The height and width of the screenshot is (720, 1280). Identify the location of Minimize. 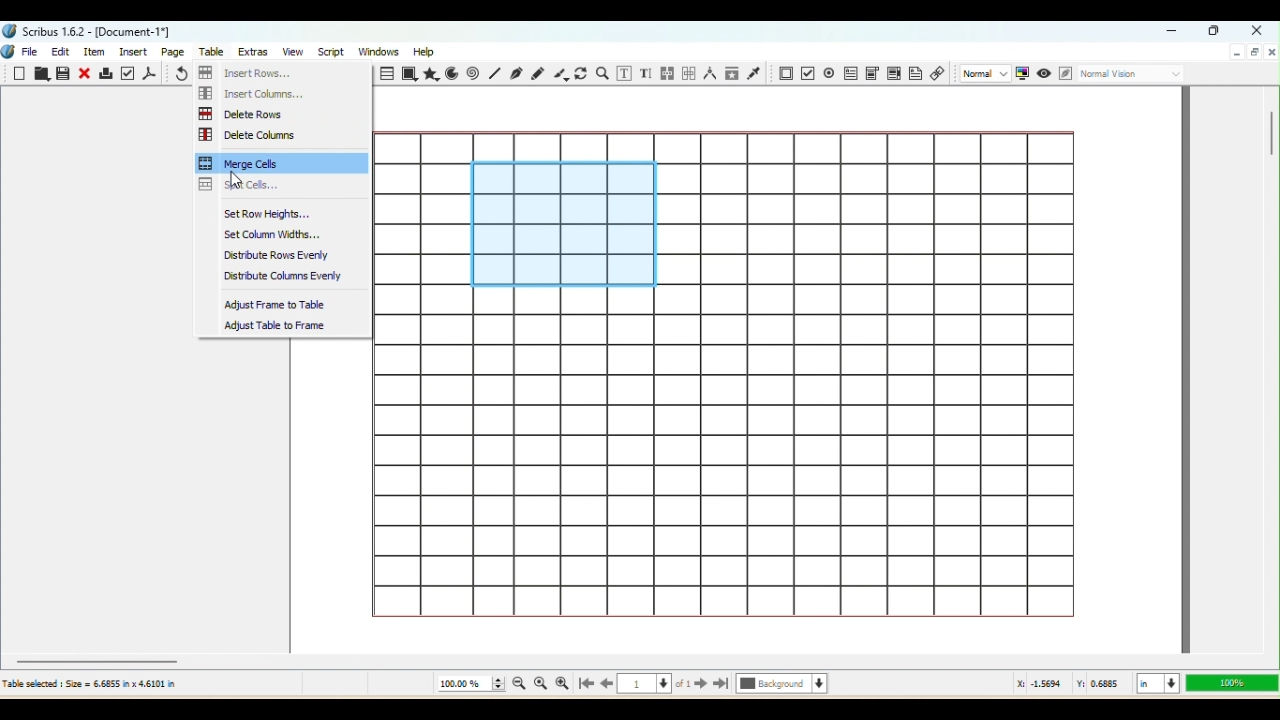
(1175, 32).